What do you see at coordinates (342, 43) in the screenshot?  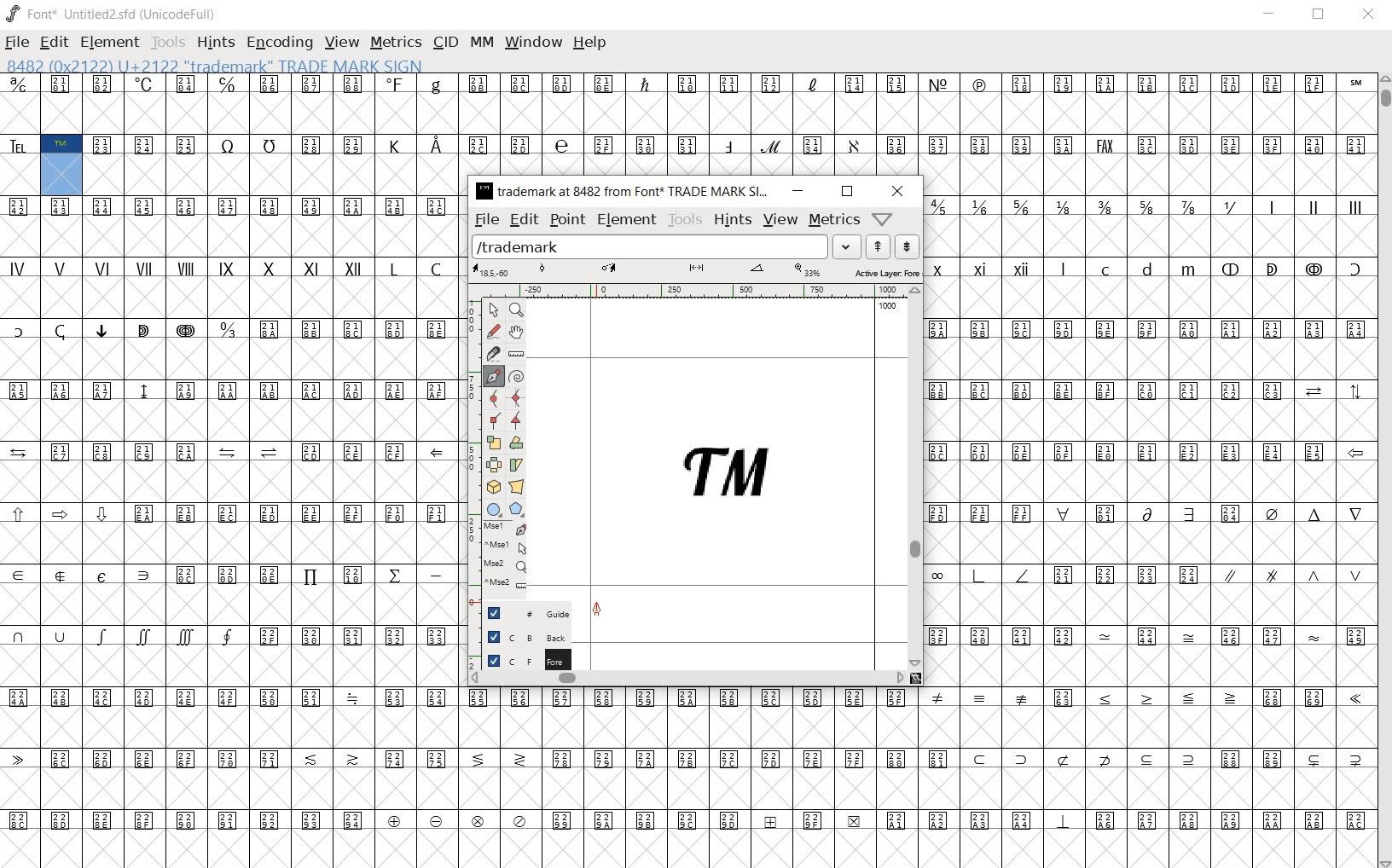 I see `VIEW` at bounding box center [342, 43].